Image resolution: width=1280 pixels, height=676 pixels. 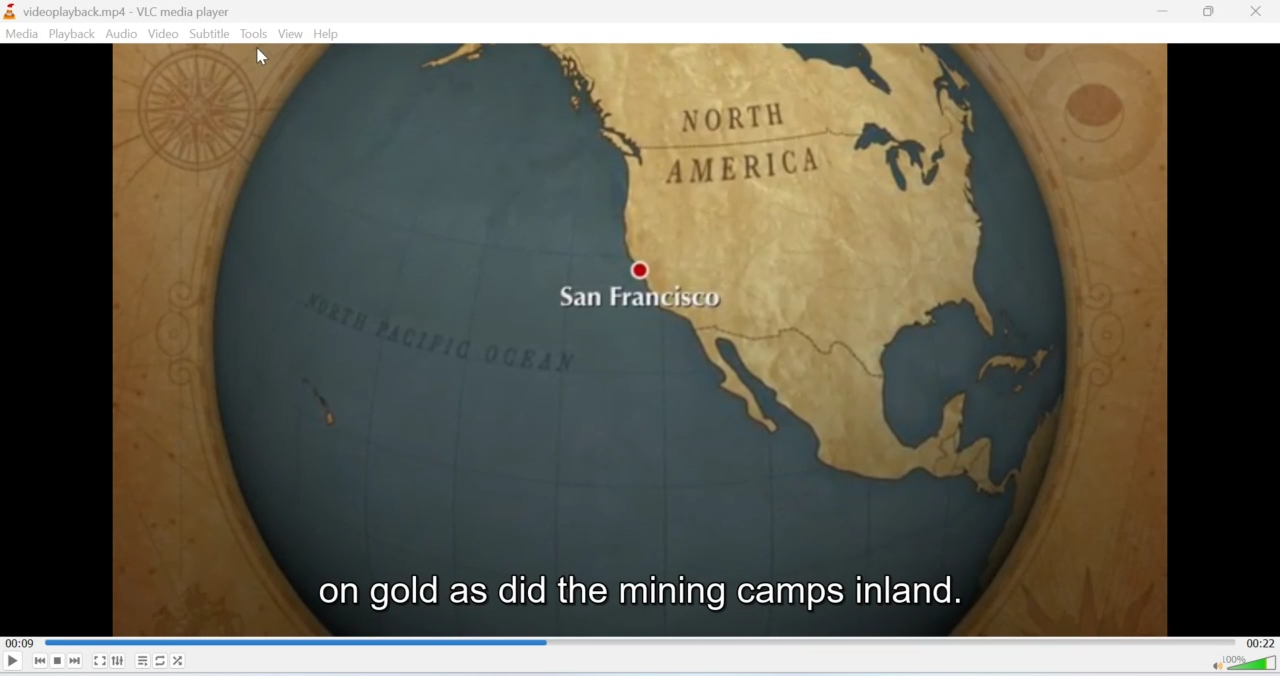 I want to click on Help, so click(x=338, y=33).